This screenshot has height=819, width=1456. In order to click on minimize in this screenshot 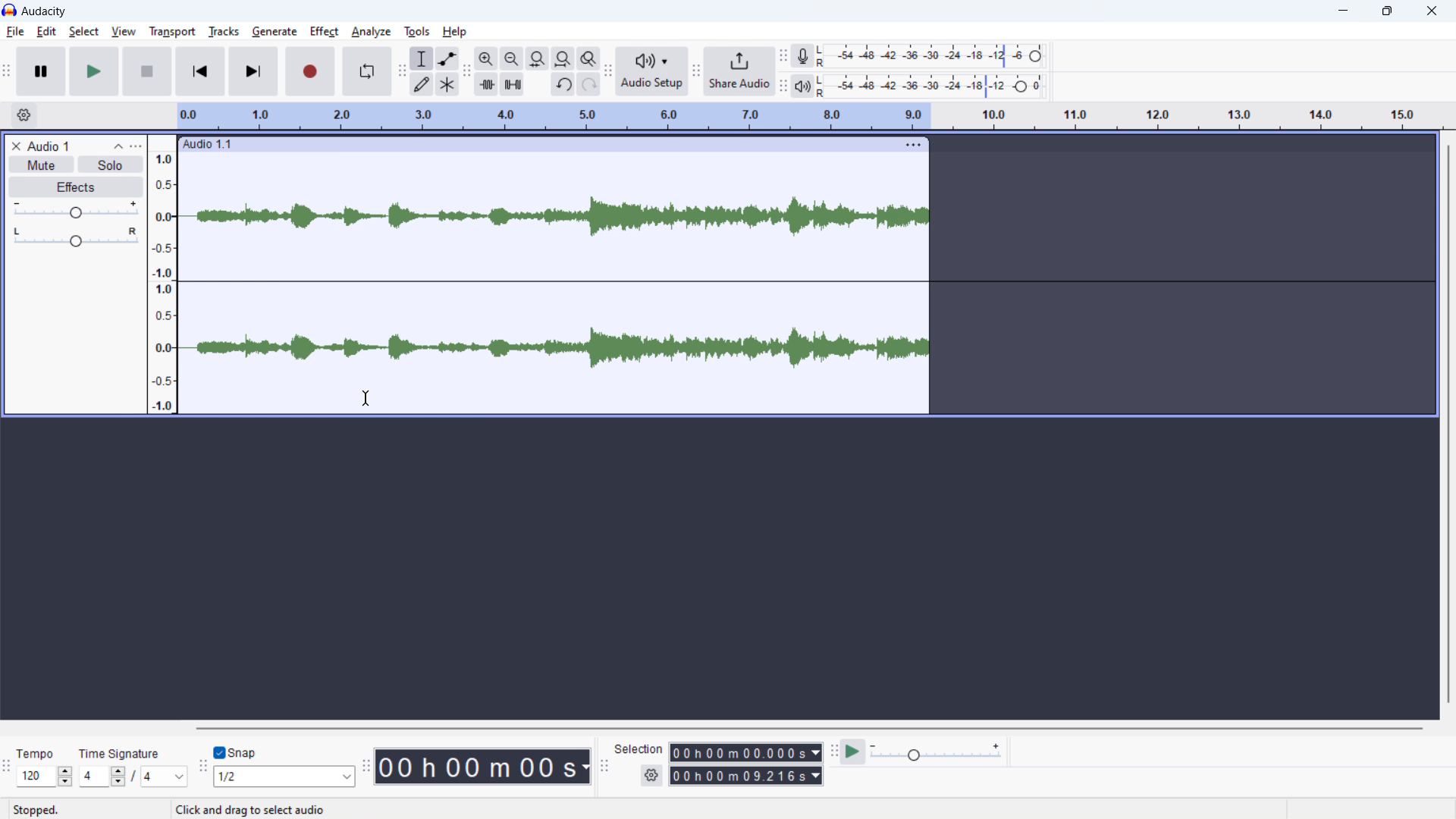, I will do `click(1335, 11)`.